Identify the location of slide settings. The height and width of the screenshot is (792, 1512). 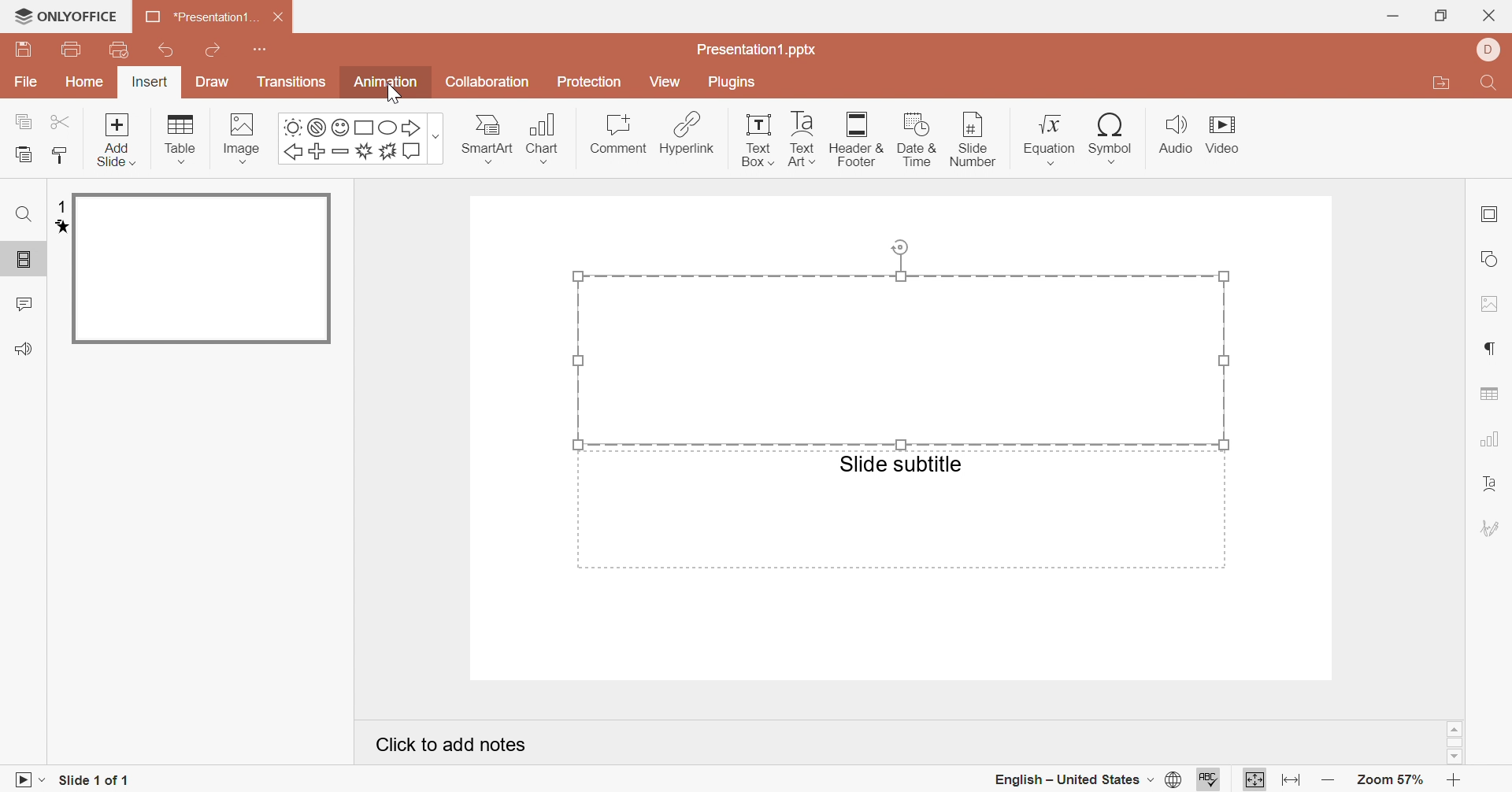
(1488, 213).